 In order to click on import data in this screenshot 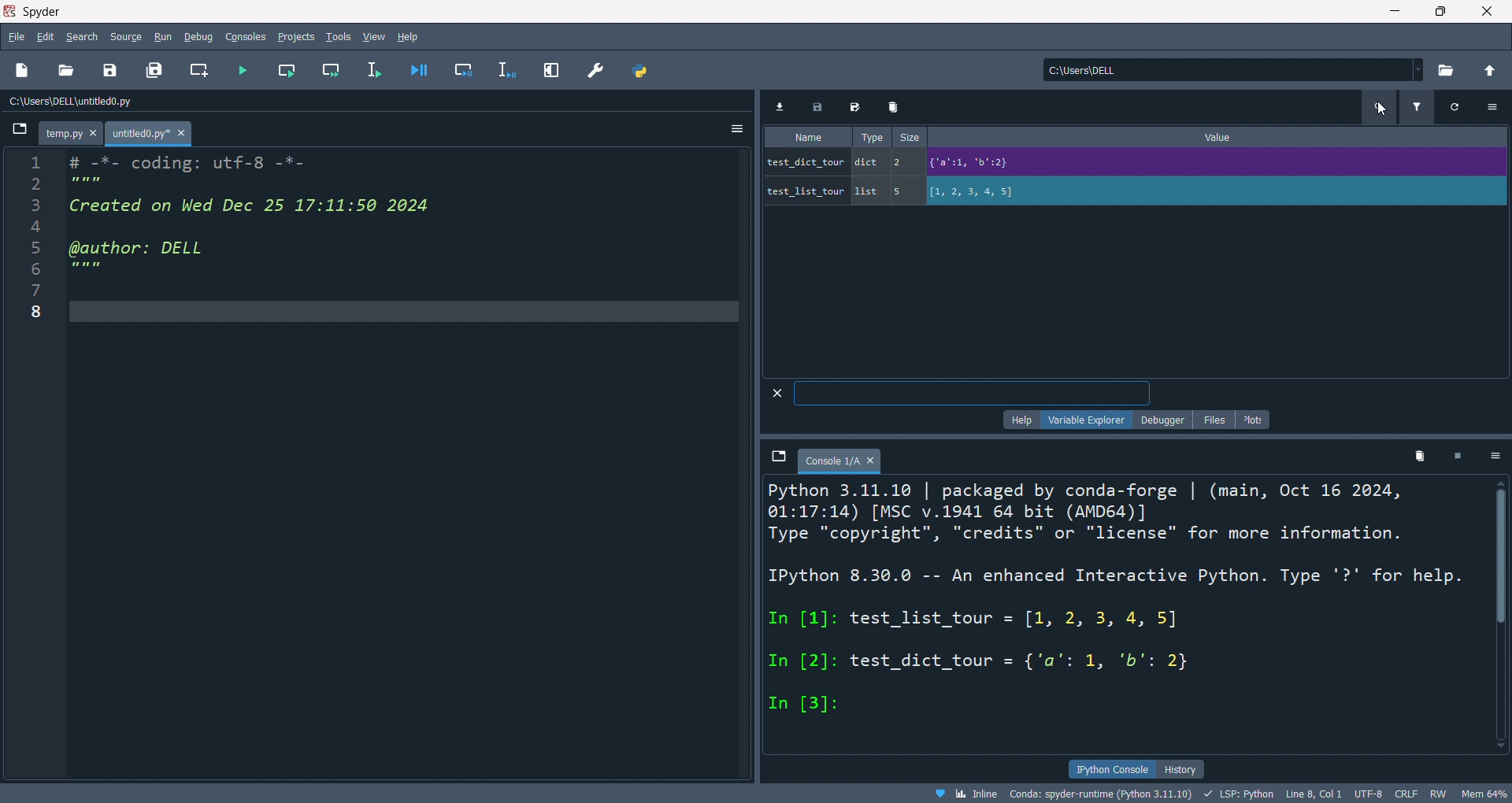, I will do `click(782, 105)`.